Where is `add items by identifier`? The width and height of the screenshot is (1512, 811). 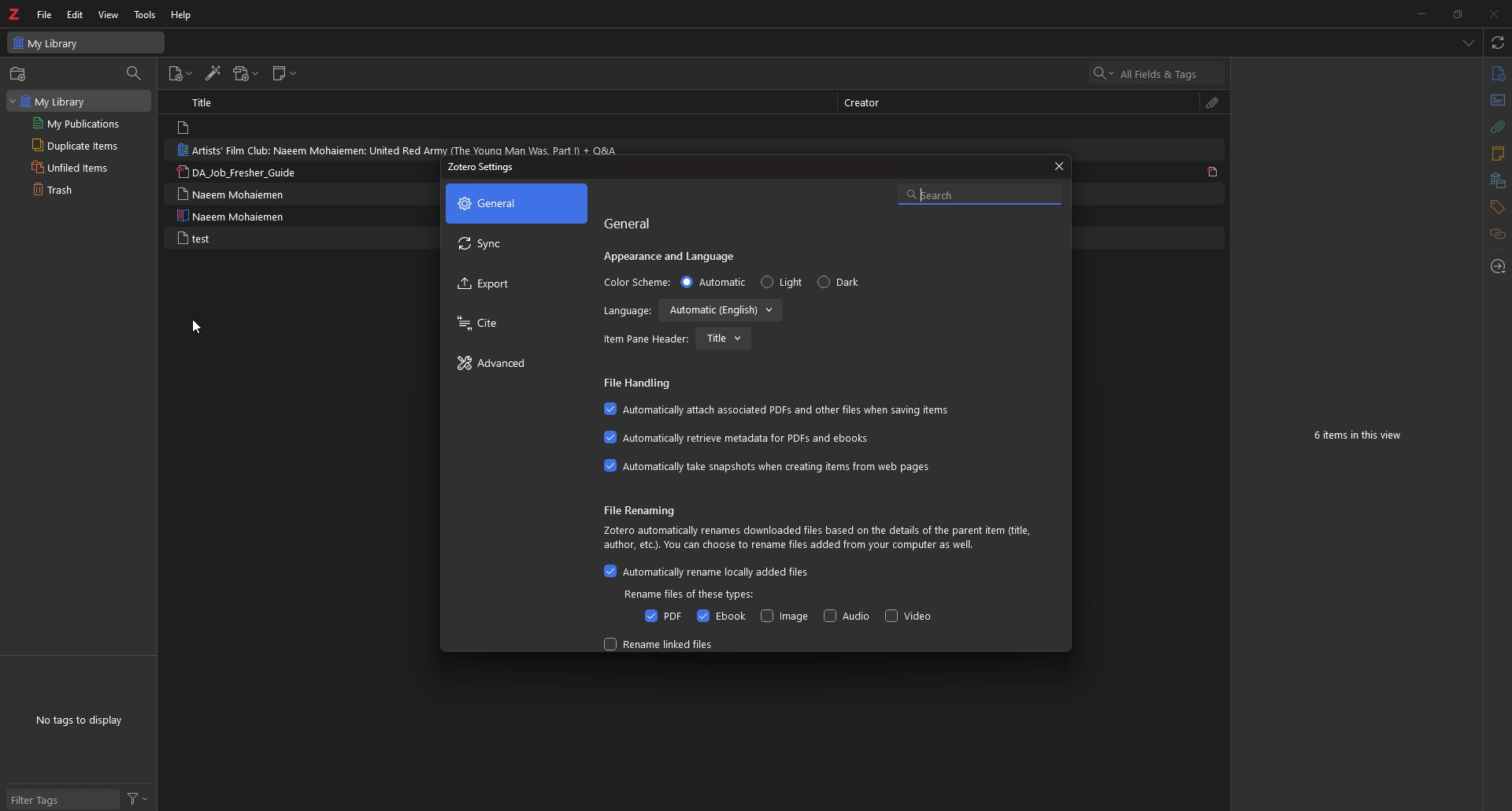
add items by identifier is located at coordinates (213, 75).